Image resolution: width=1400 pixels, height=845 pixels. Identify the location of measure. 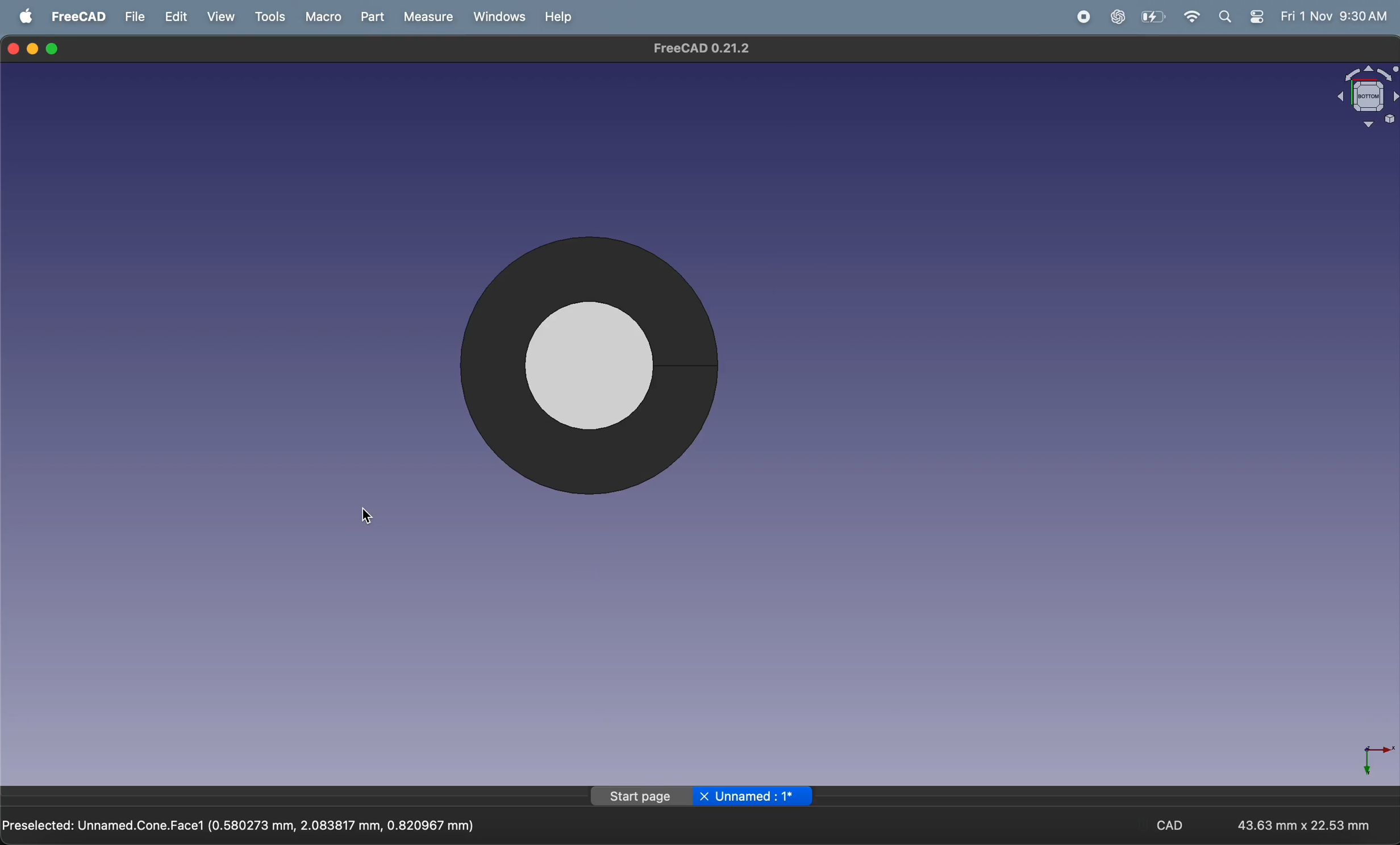
(424, 17).